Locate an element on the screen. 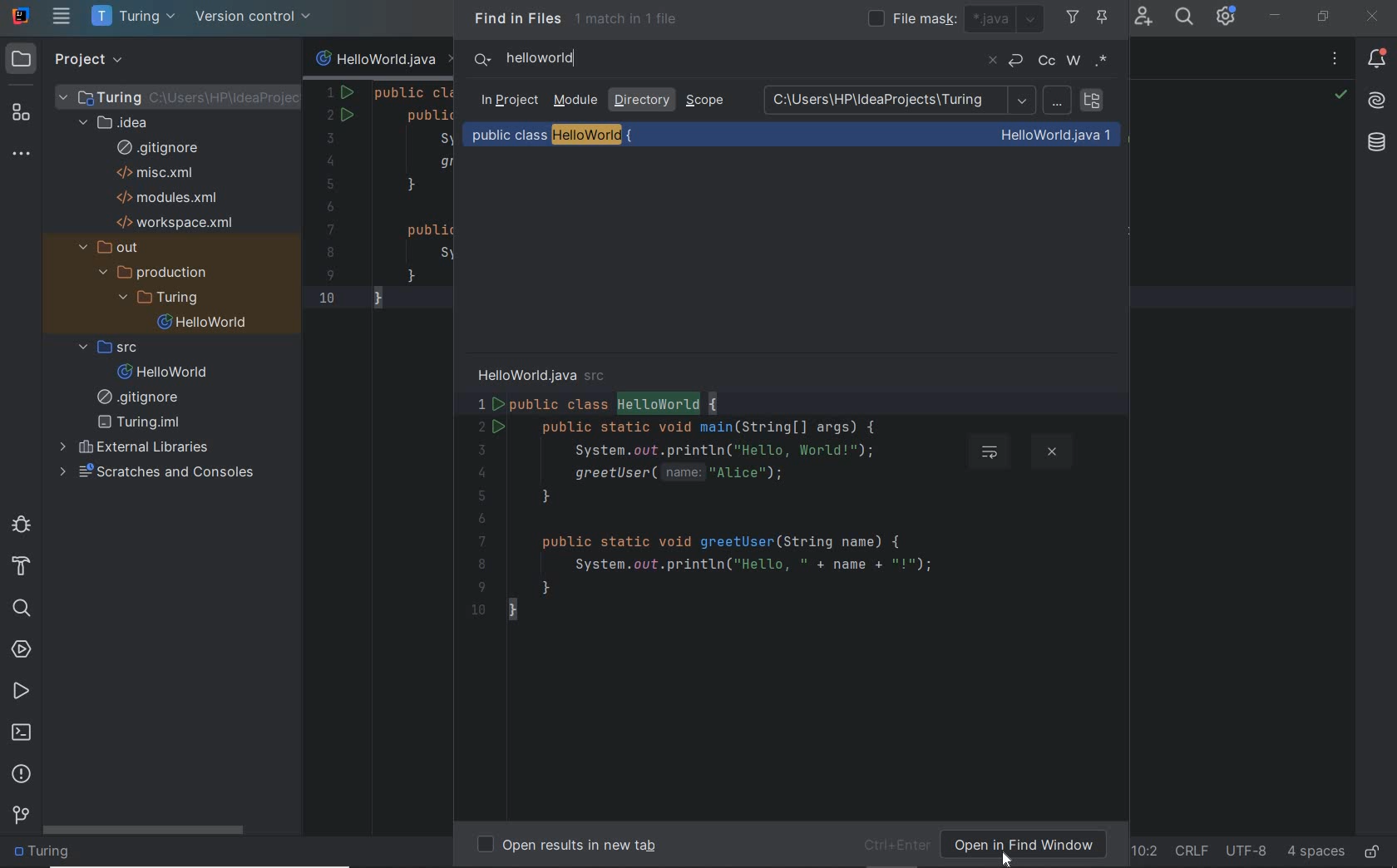 Image resolution: width=1397 pixels, height=868 pixels. out is located at coordinates (116, 247).